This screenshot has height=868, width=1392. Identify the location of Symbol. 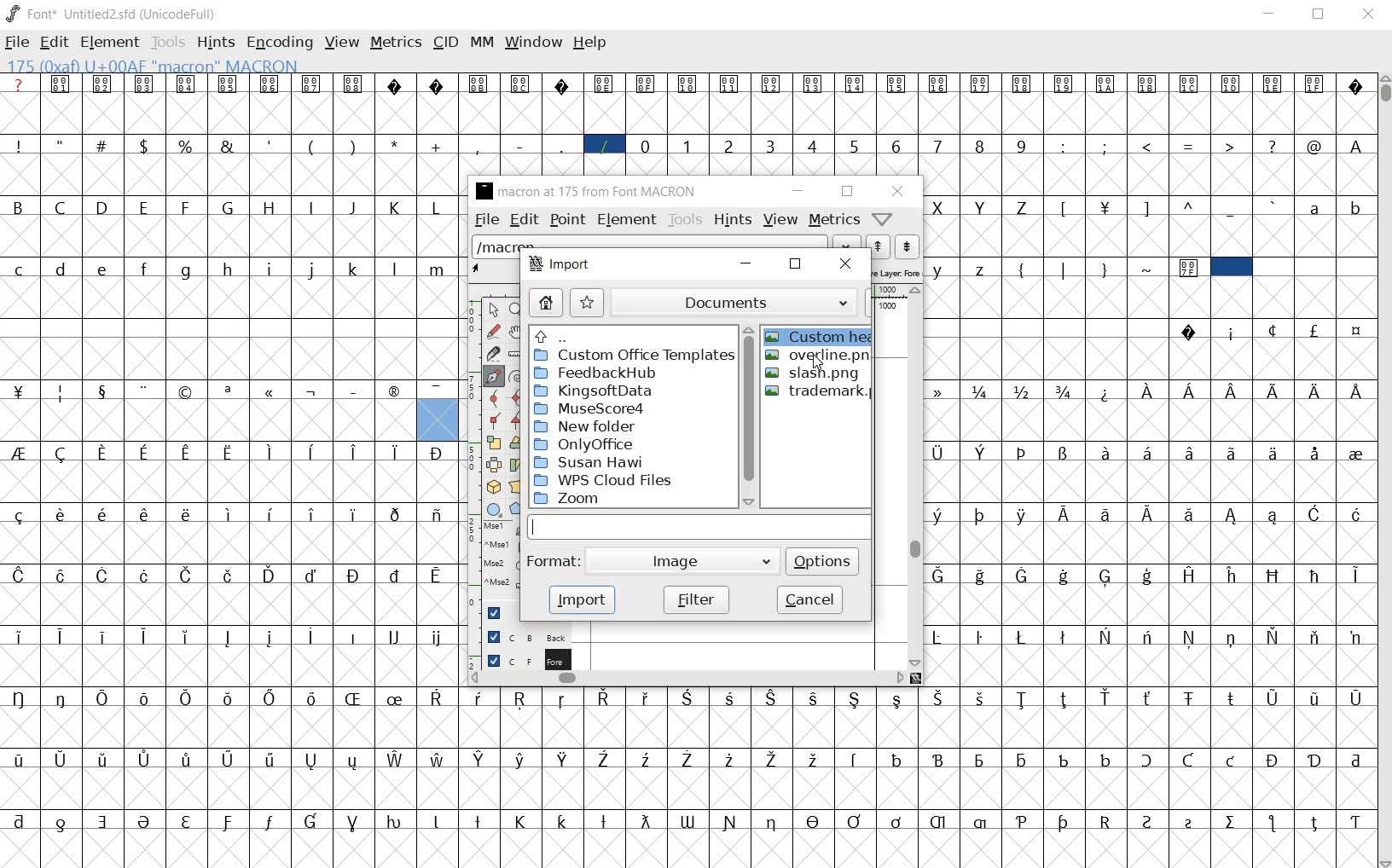
(1354, 576).